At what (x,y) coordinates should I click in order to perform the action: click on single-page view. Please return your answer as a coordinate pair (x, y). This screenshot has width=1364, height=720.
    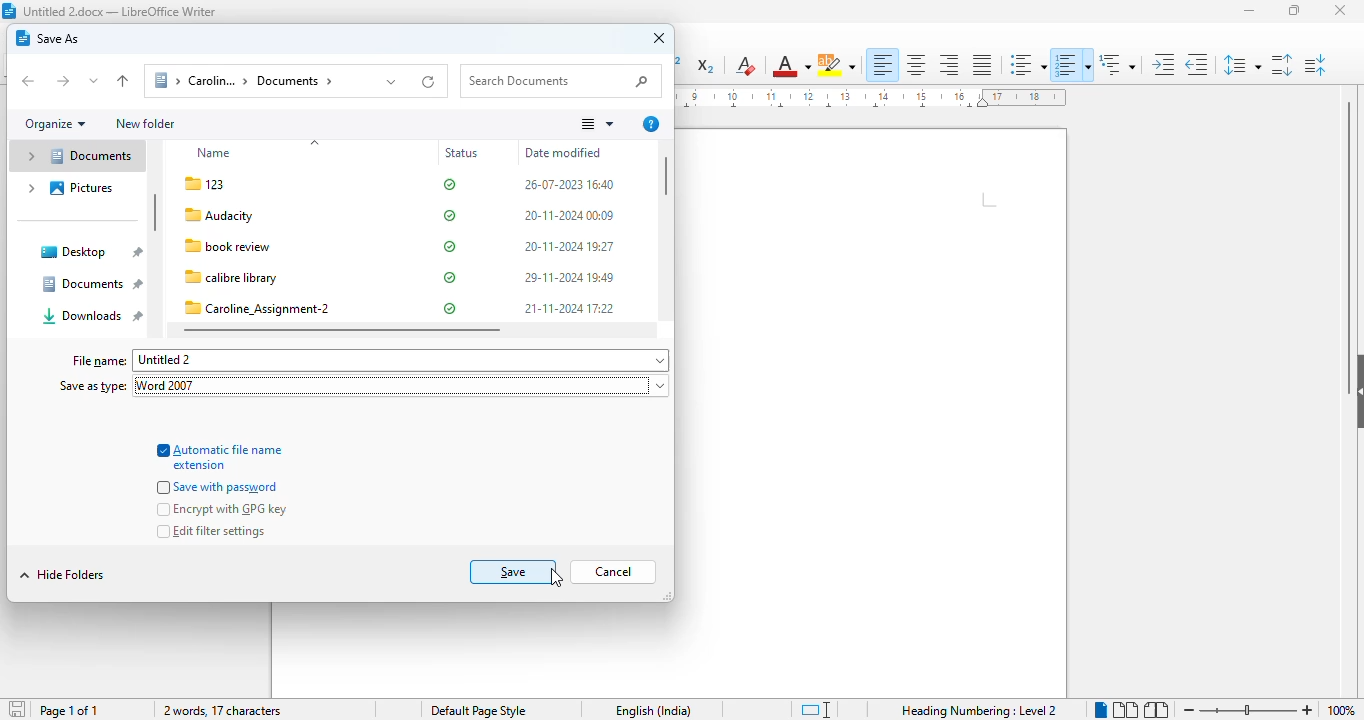
    Looking at the image, I should click on (1101, 710).